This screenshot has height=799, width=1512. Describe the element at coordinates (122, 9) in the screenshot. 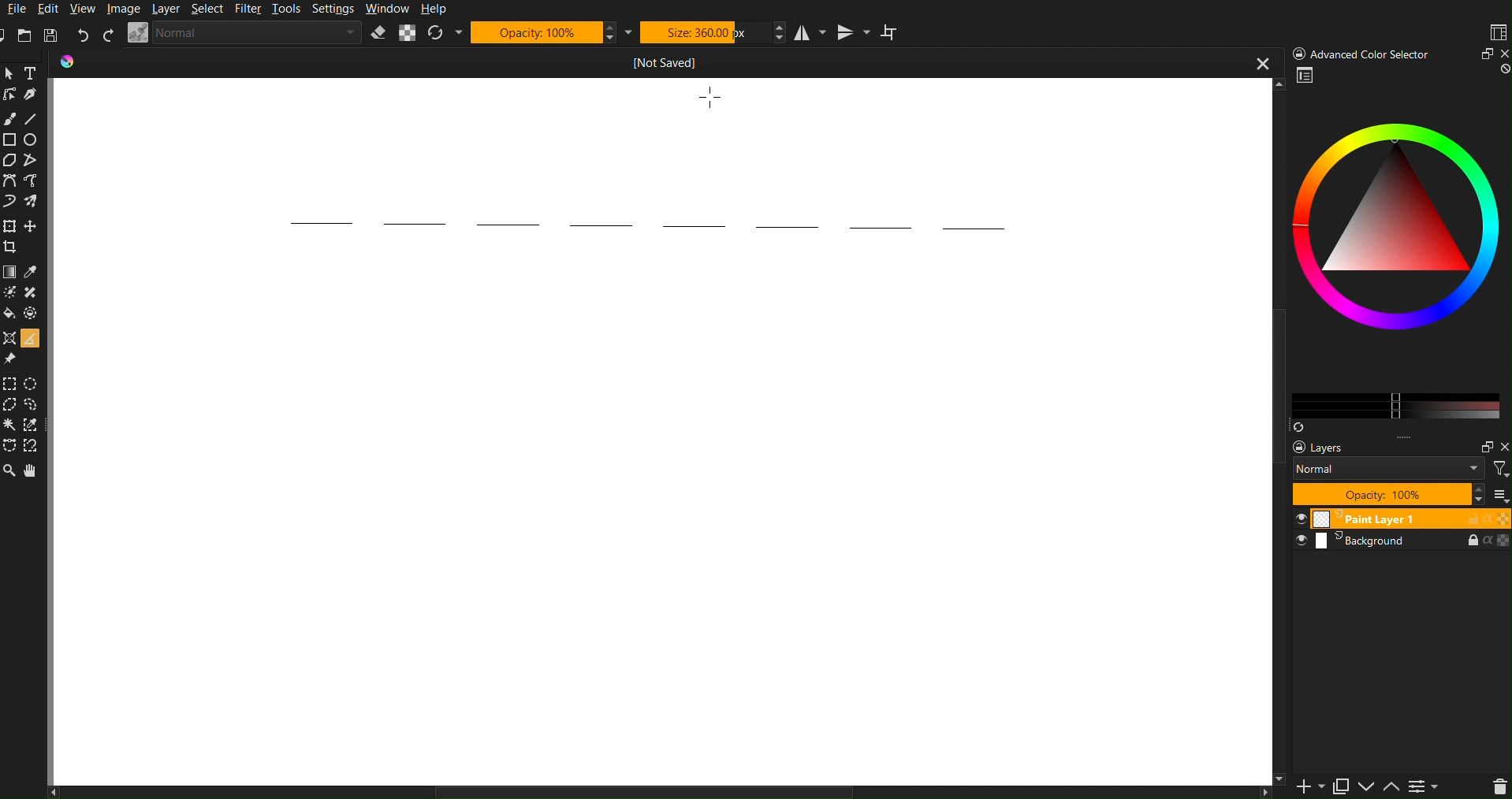

I see `Image ` at that location.